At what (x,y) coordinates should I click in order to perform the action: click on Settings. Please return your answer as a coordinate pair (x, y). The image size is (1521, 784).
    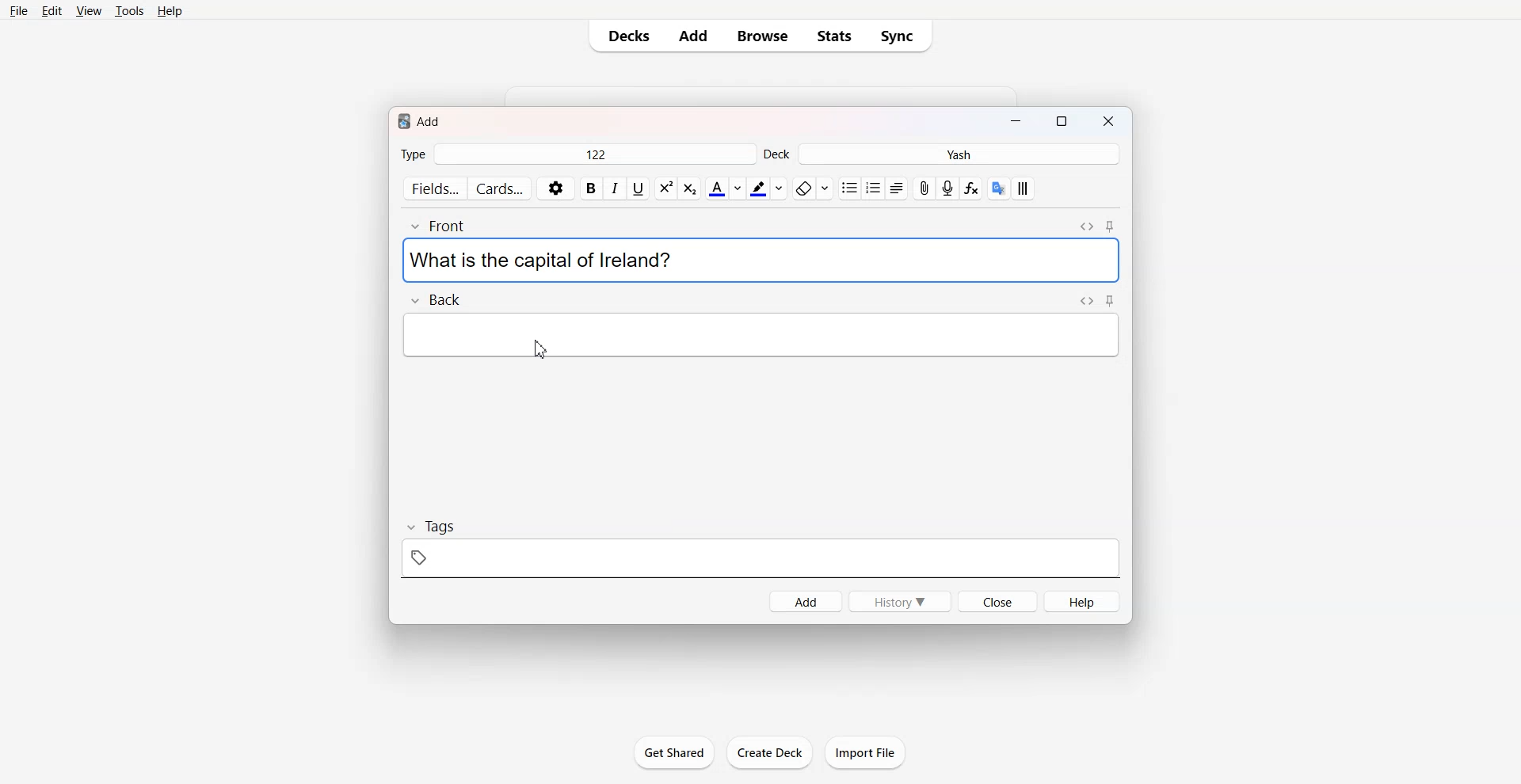
    Looking at the image, I should click on (556, 188).